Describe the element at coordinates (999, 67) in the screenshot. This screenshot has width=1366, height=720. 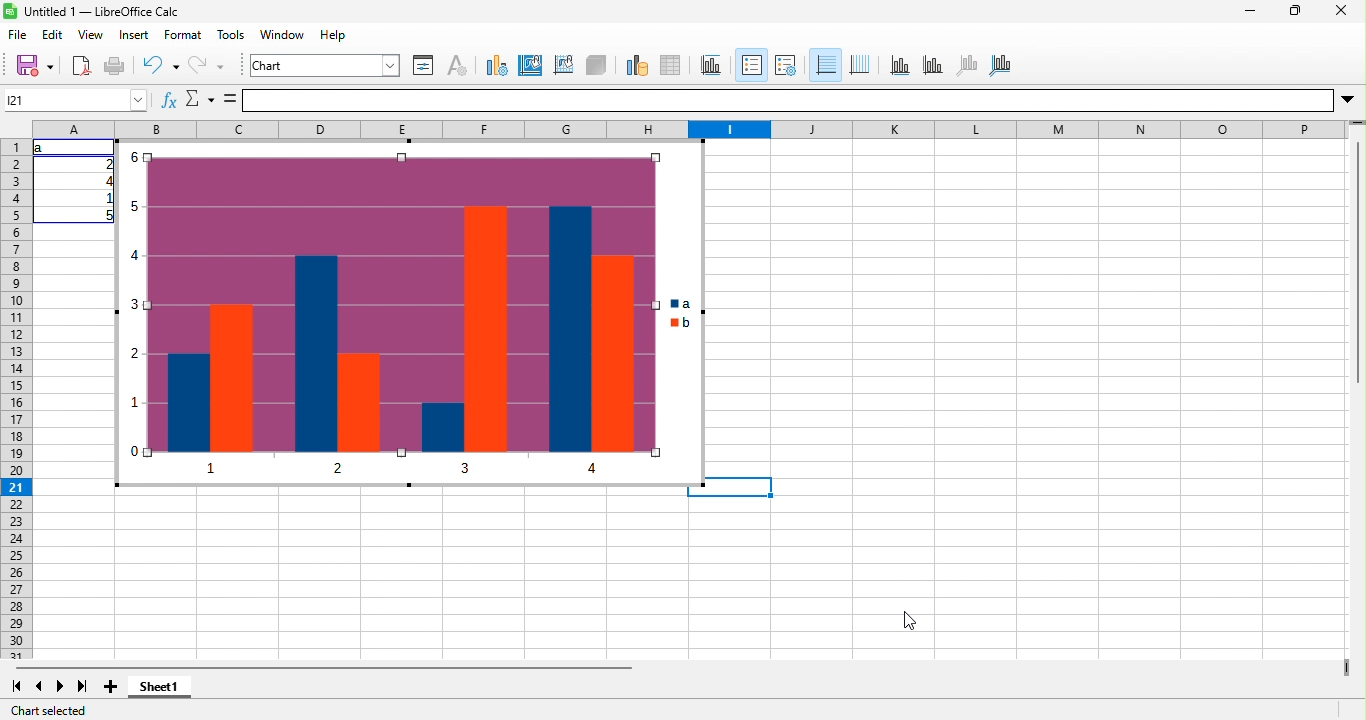
I see `all axes` at that location.